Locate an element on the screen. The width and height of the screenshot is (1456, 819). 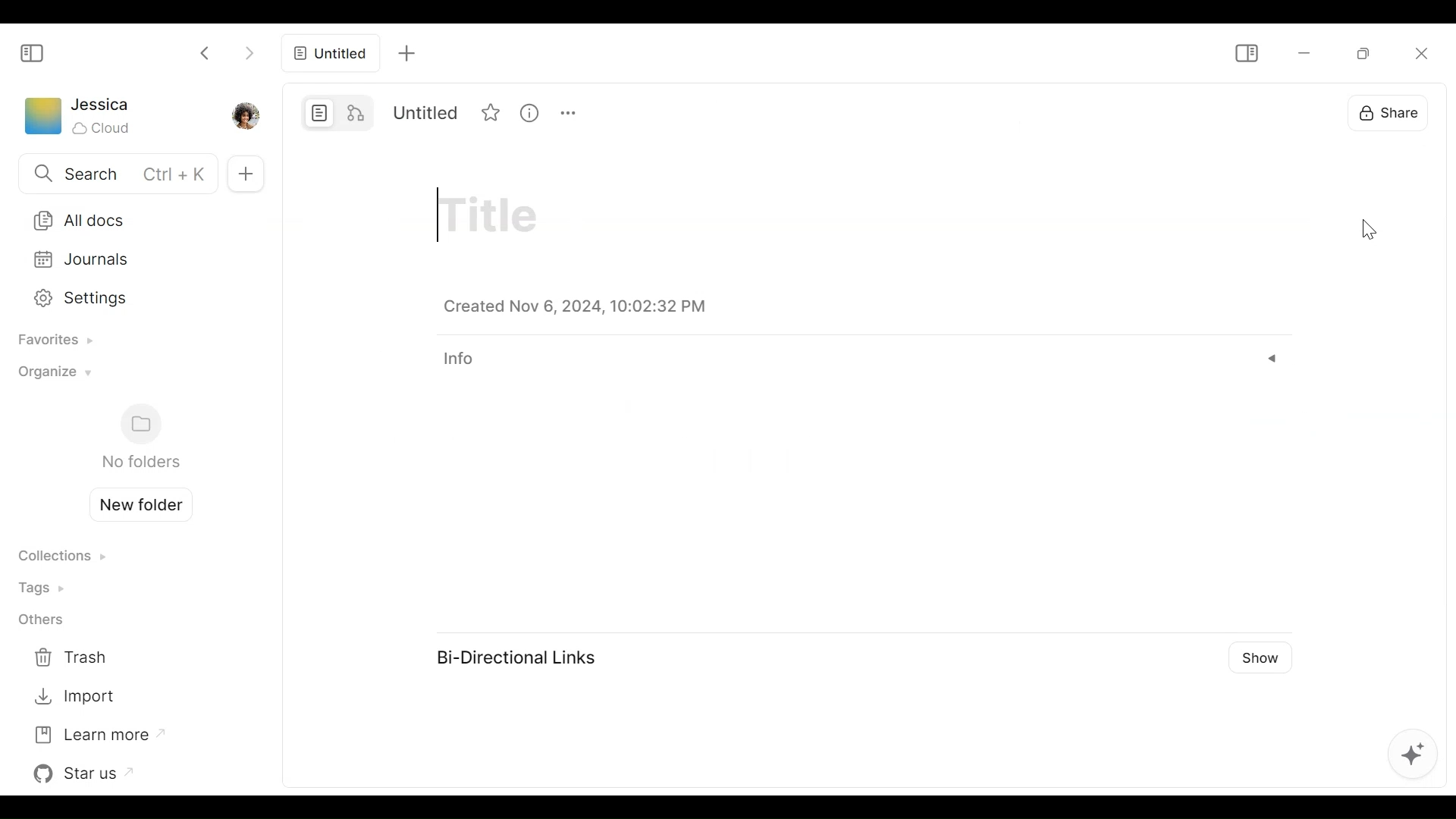
Show/Hide Sidebar is located at coordinates (1245, 53).